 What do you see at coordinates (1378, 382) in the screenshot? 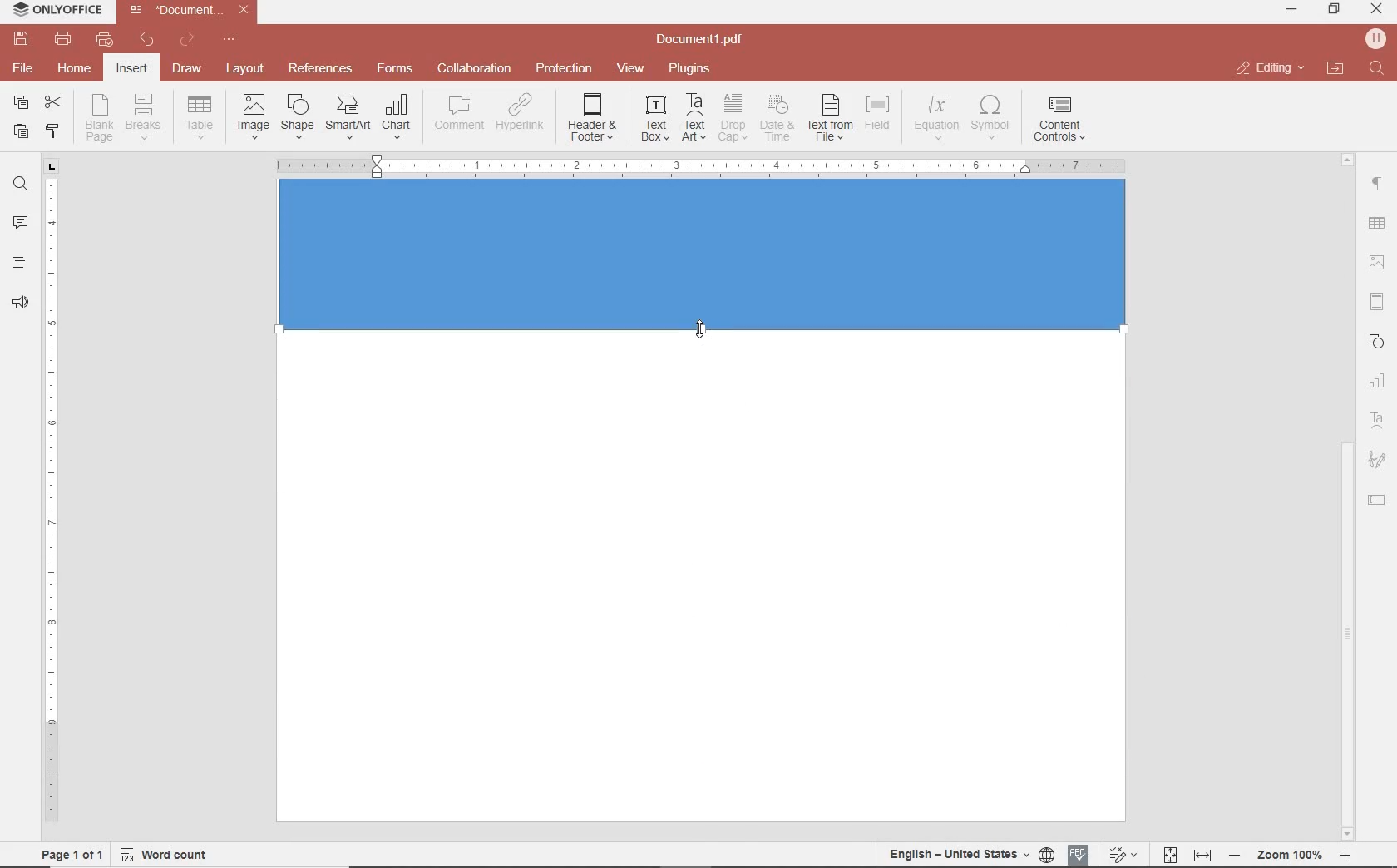
I see `CHART` at bounding box center [1378, 382].